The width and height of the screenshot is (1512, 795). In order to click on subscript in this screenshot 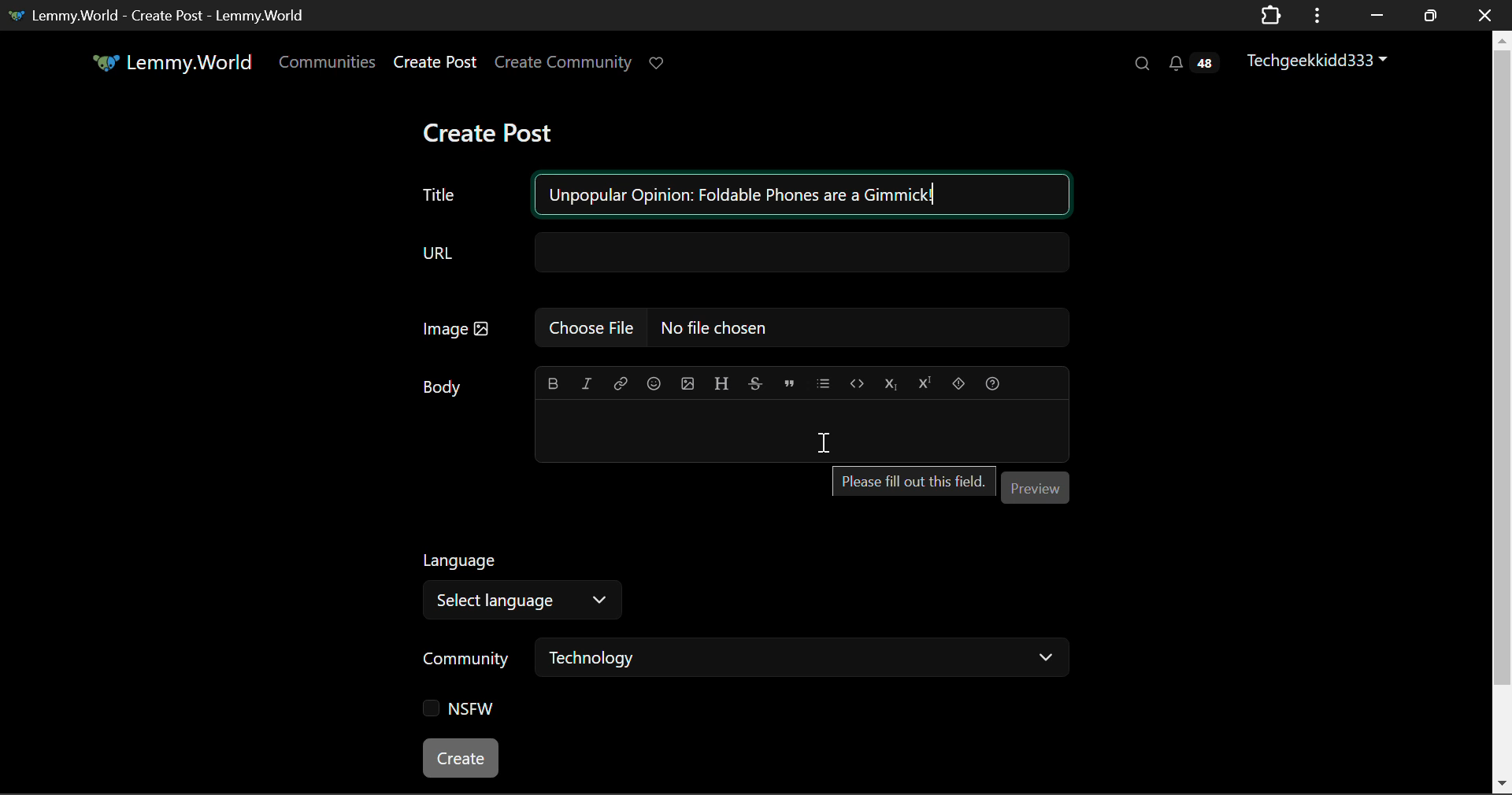, I will do `click(891, 382)`.